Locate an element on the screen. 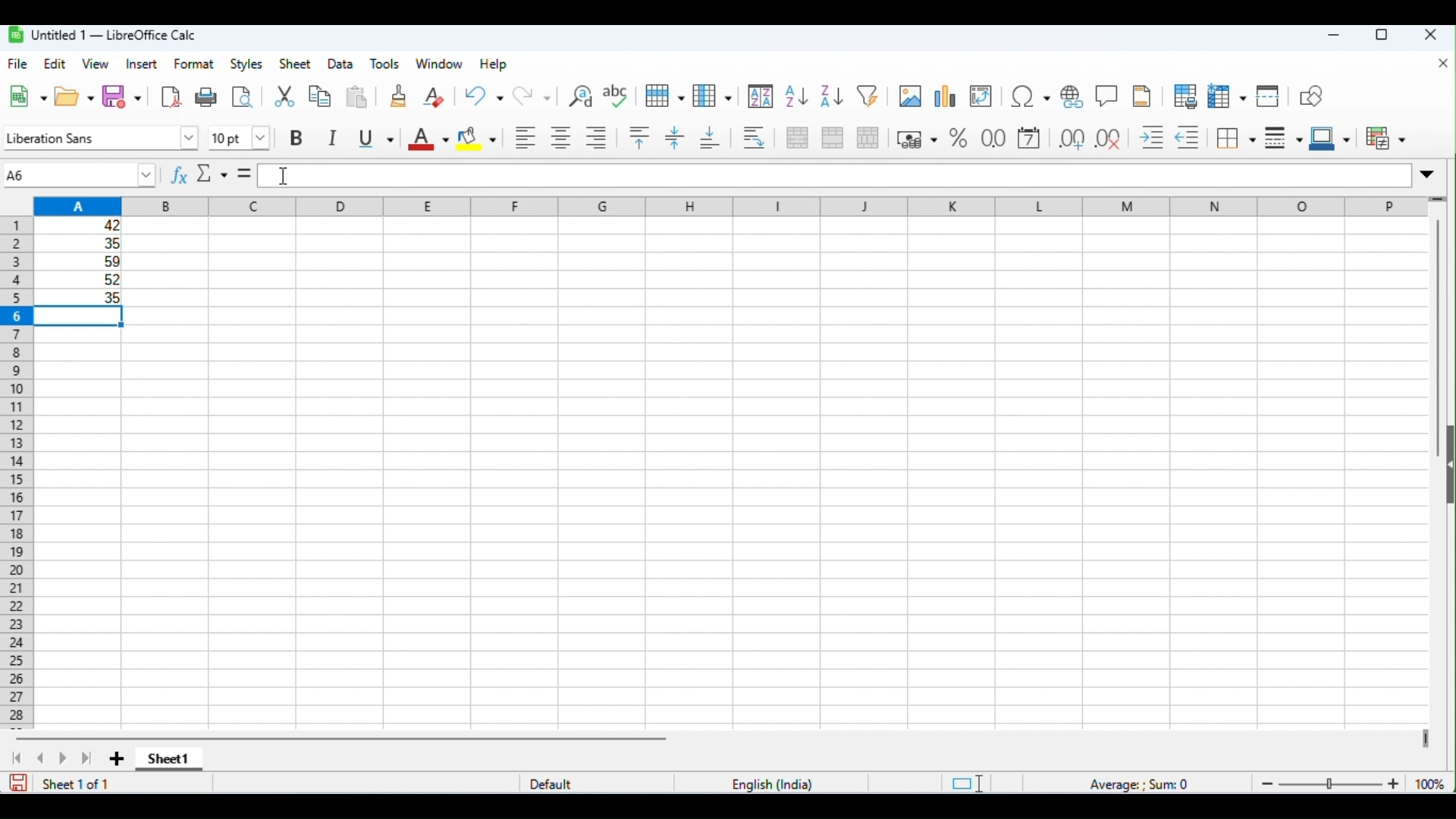 The height and width of the screenshot is (819, 1456). formula for MIN function is located at coordinates (301, 177).